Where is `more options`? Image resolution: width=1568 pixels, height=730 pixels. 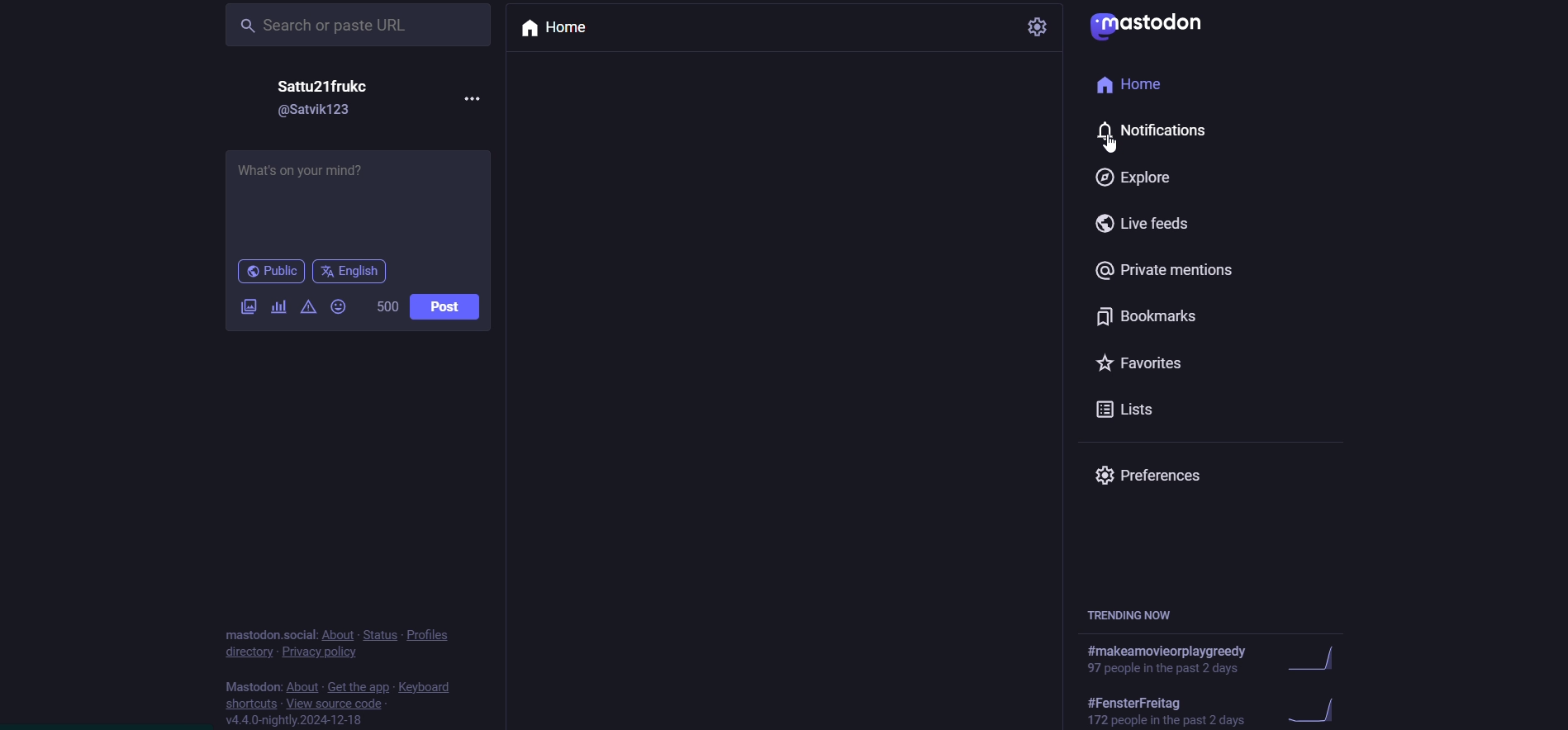 more options is located at coordinates (473, 98).